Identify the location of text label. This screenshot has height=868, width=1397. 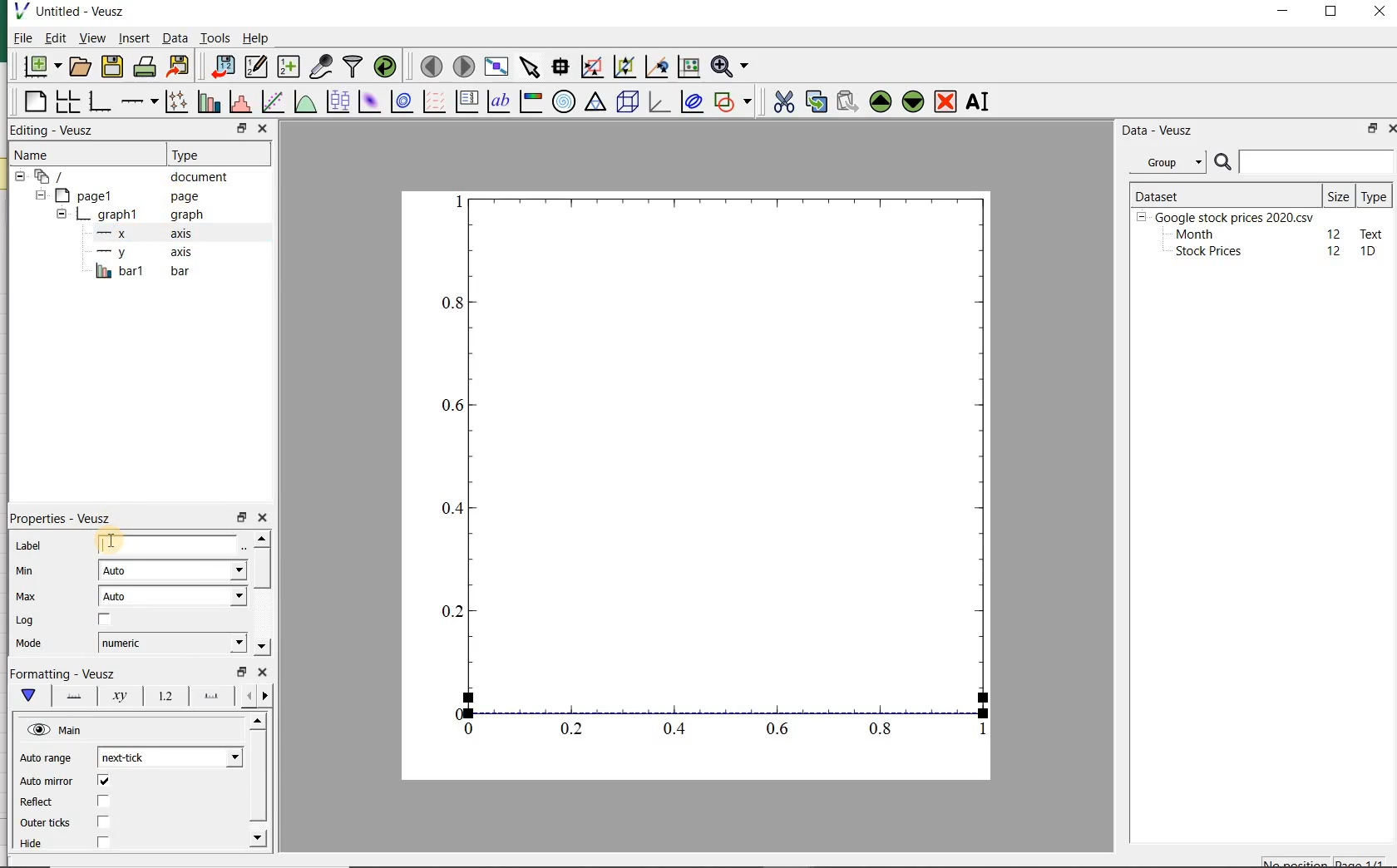
(498, 103).